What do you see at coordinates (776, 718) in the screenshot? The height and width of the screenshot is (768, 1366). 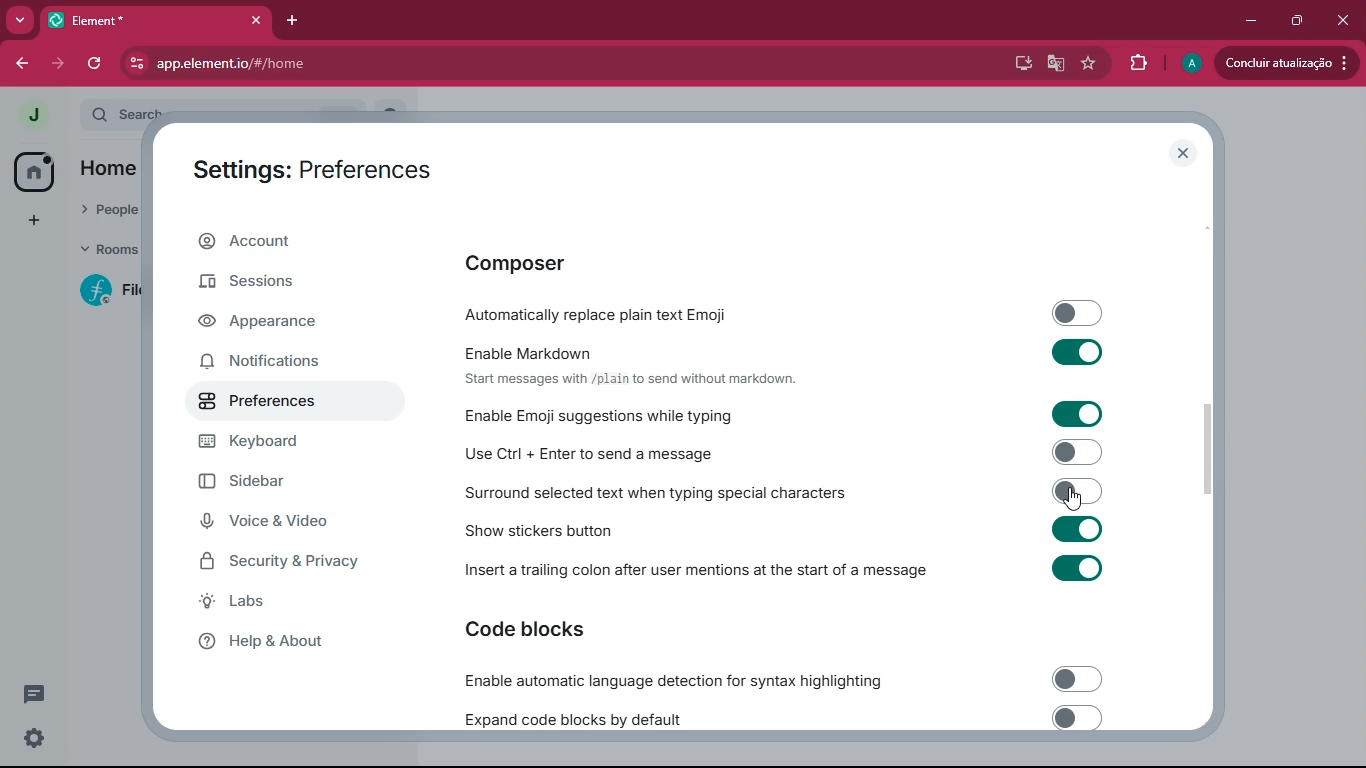 I see `expand code blocks by default` at bounding box center [776, 718].